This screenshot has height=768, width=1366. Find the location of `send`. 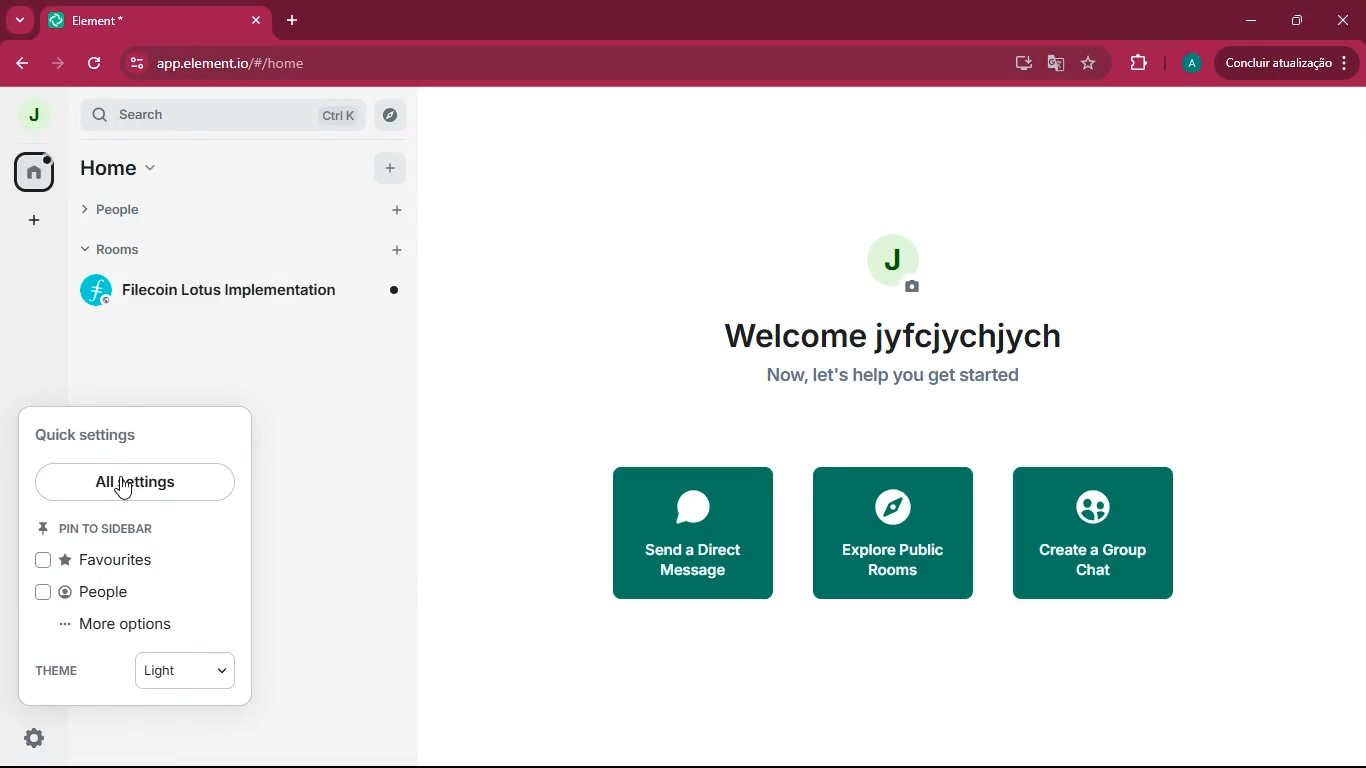

send is located at coordinates (691, 532).